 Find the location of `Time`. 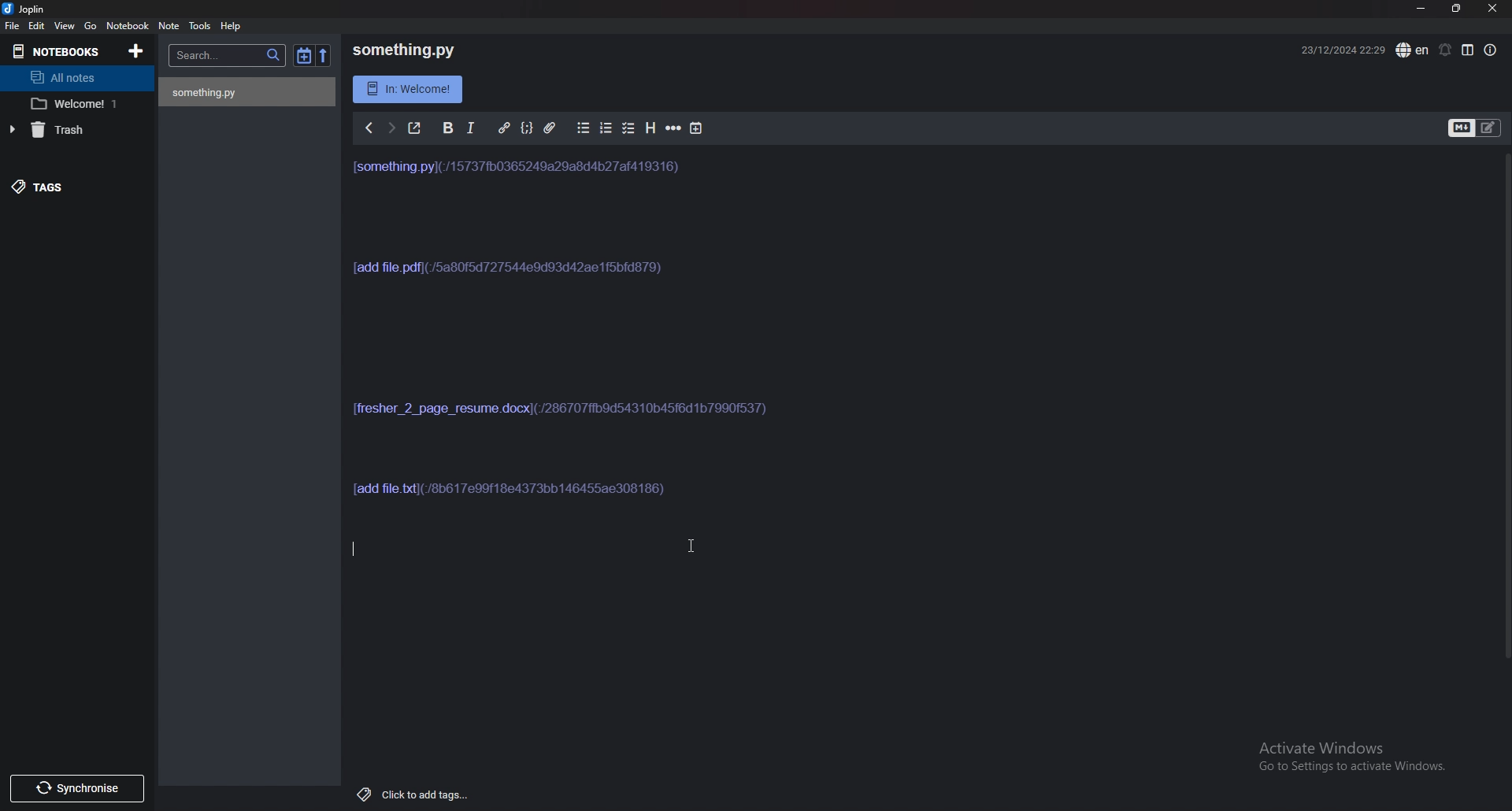

Time is located at coordinates (1345, 49).